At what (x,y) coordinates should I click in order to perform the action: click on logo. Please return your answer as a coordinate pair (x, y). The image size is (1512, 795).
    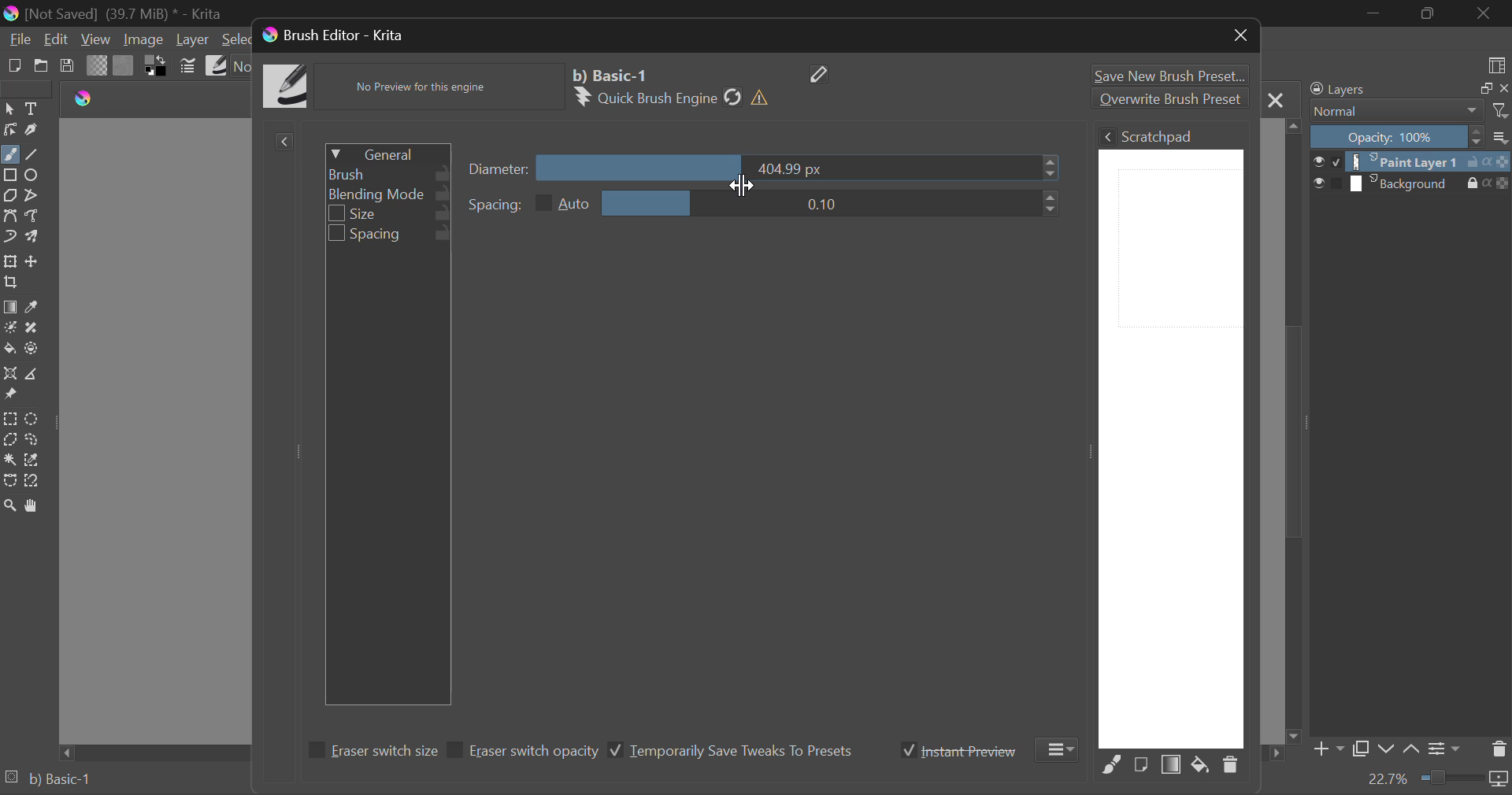
    Looking at the image, I should click on (88, 98).